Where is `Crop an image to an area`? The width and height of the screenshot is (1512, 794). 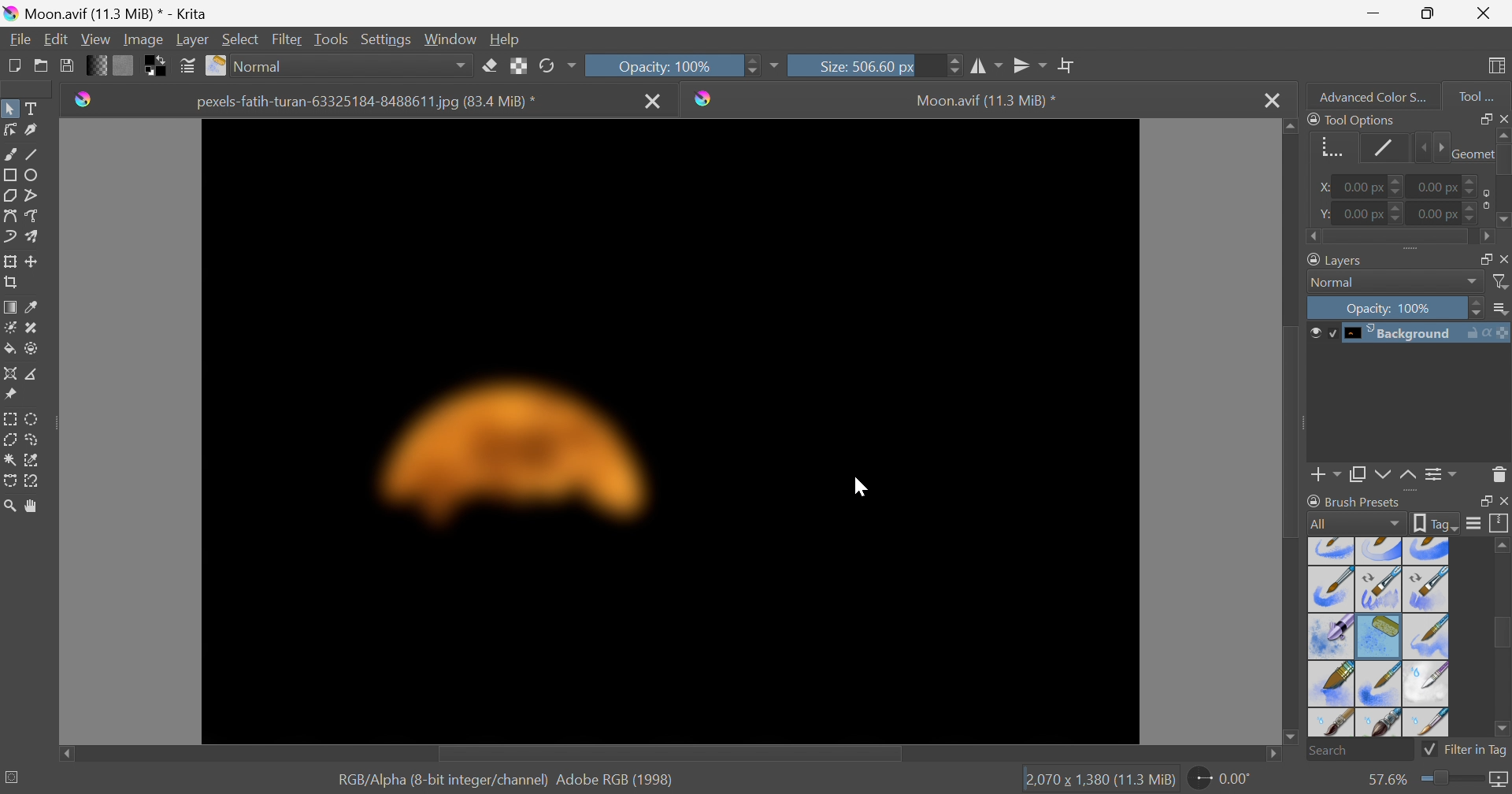
Crop an image to an area is located at coordinates (9, 280).